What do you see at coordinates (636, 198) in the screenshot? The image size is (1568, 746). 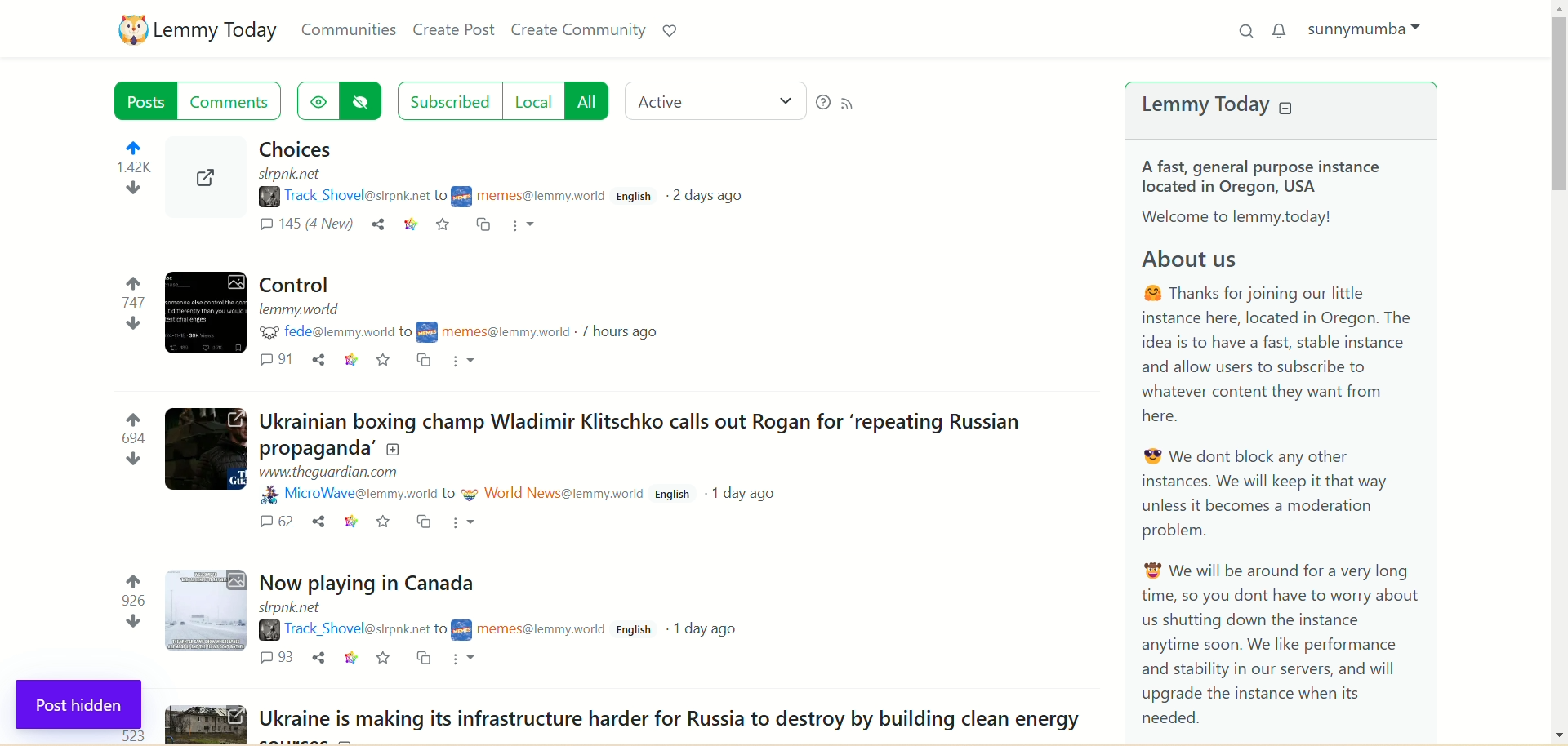 I see `language` at bounding box center [636, 198].